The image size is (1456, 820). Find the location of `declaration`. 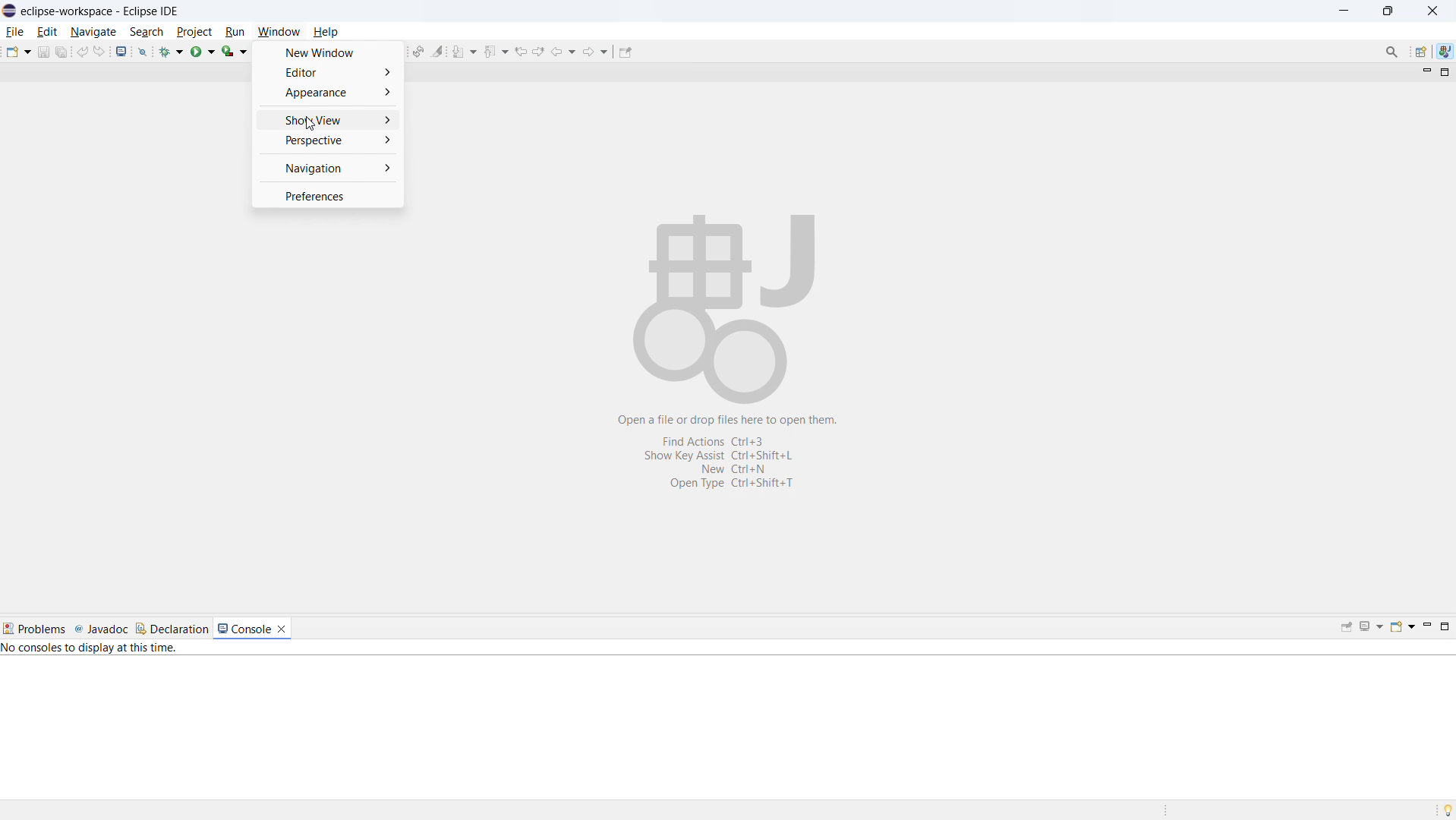

declaration is located at coordinates (172, 628).